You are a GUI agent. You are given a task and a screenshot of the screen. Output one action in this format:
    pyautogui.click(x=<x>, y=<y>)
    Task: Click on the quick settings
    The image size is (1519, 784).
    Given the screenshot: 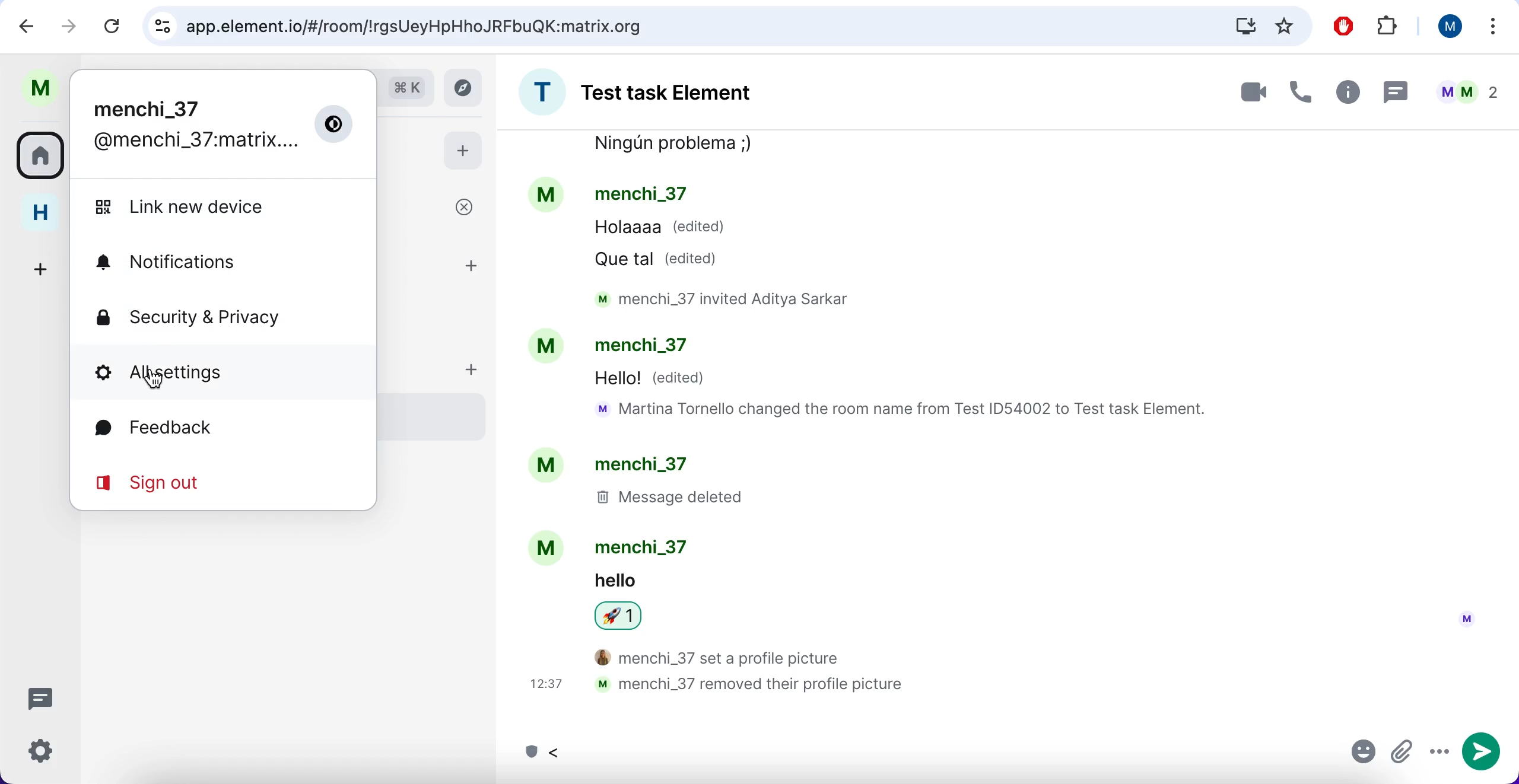 What is the action you would take?
    pyautogui.click(x=42, y=751)
    